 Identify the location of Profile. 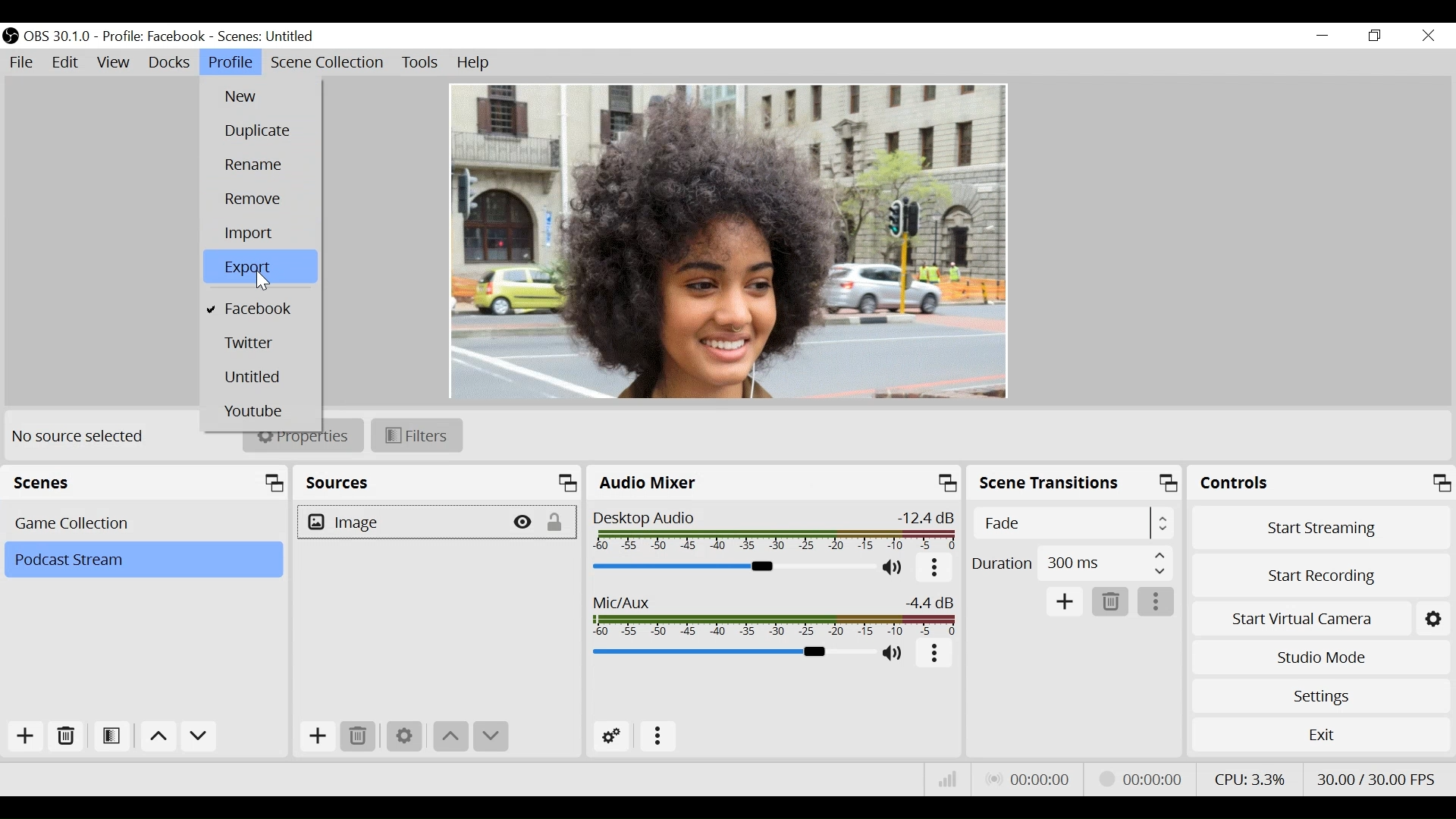
(155, 36).